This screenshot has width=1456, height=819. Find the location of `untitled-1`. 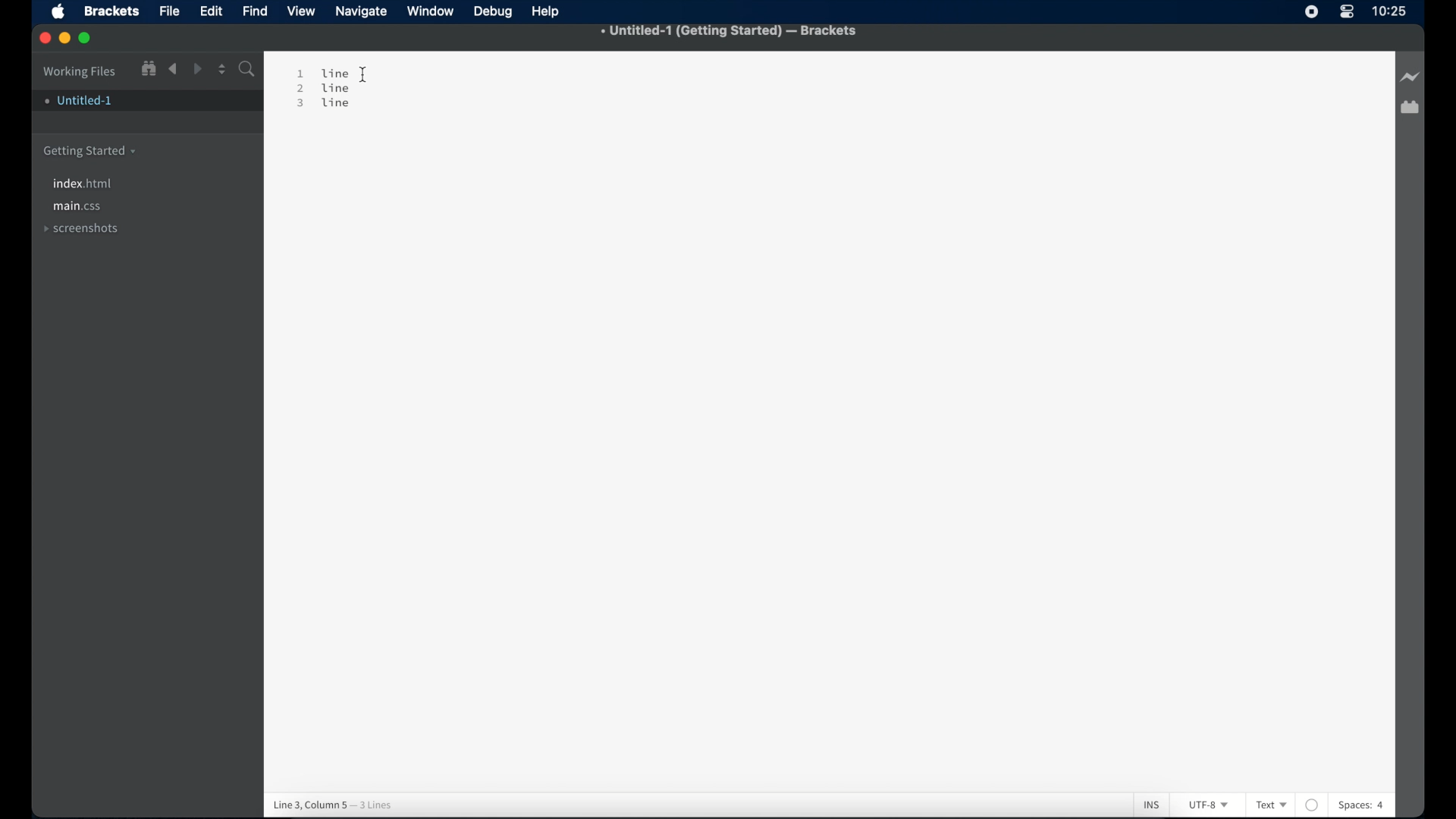

untitled-1 is located at coordinates (80, 103).